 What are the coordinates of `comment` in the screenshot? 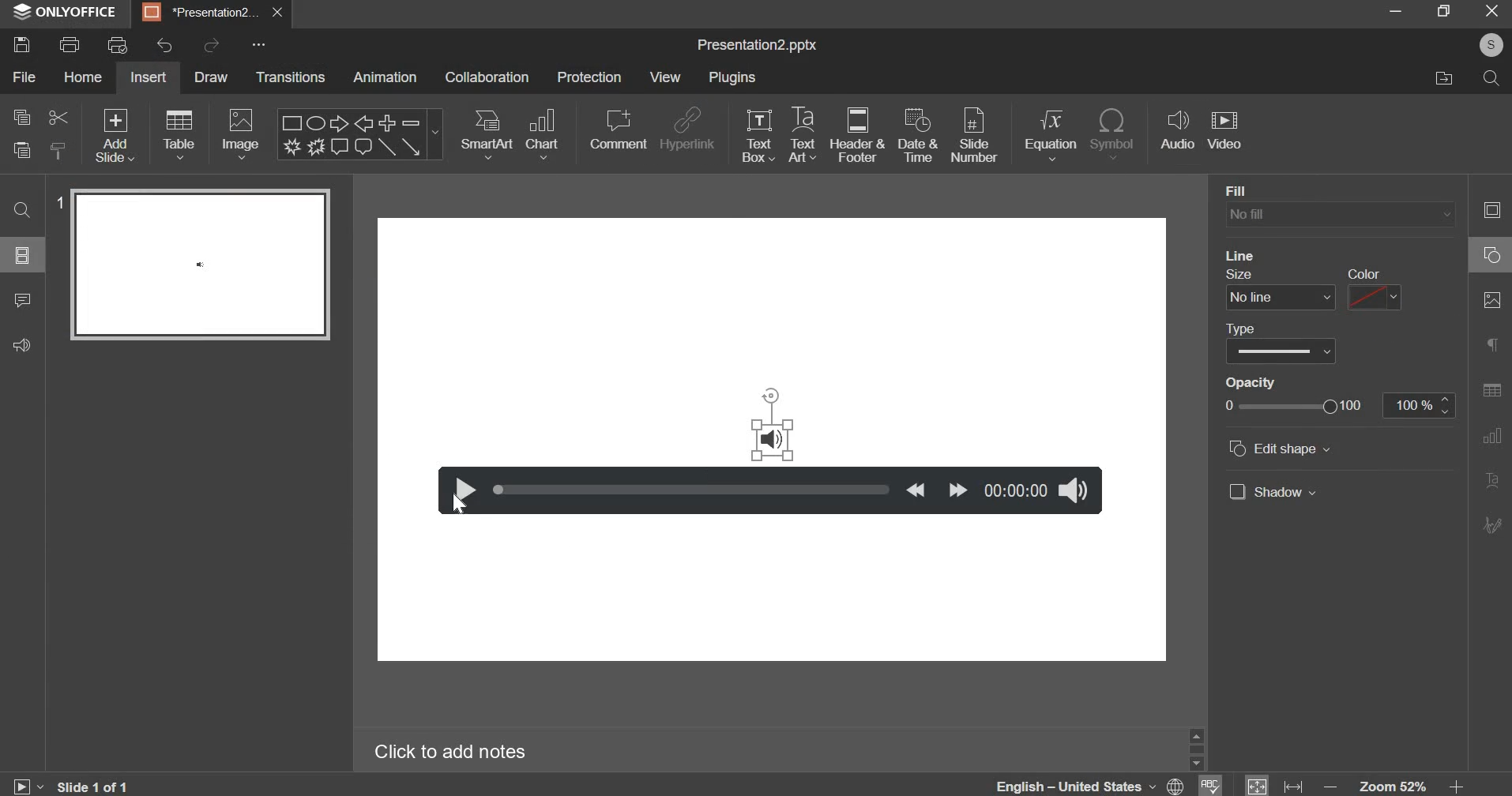 It's located at (28, 302).